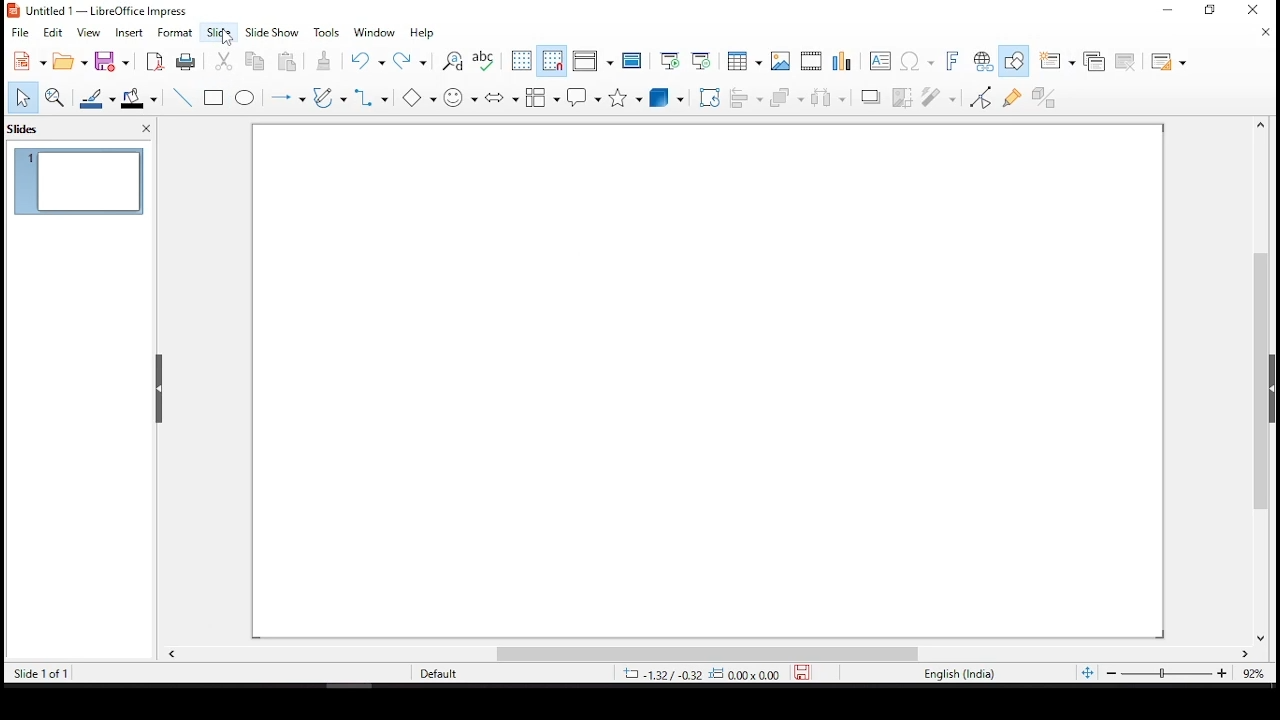 The image size is (1280, 720). I want to click on table, so click(744, 60).